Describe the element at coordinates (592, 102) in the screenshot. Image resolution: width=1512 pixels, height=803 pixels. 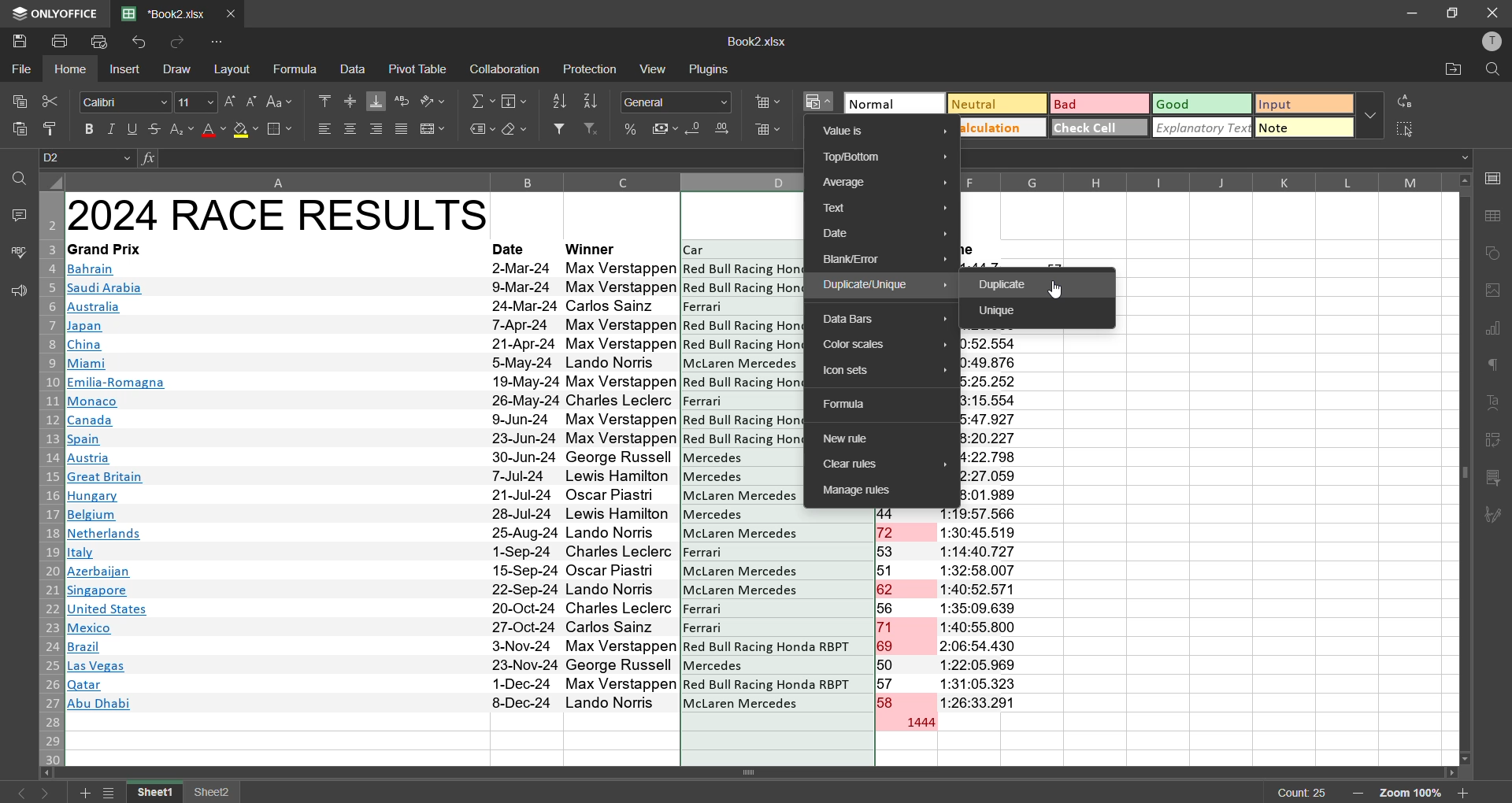
I see `sort descending` at that location.